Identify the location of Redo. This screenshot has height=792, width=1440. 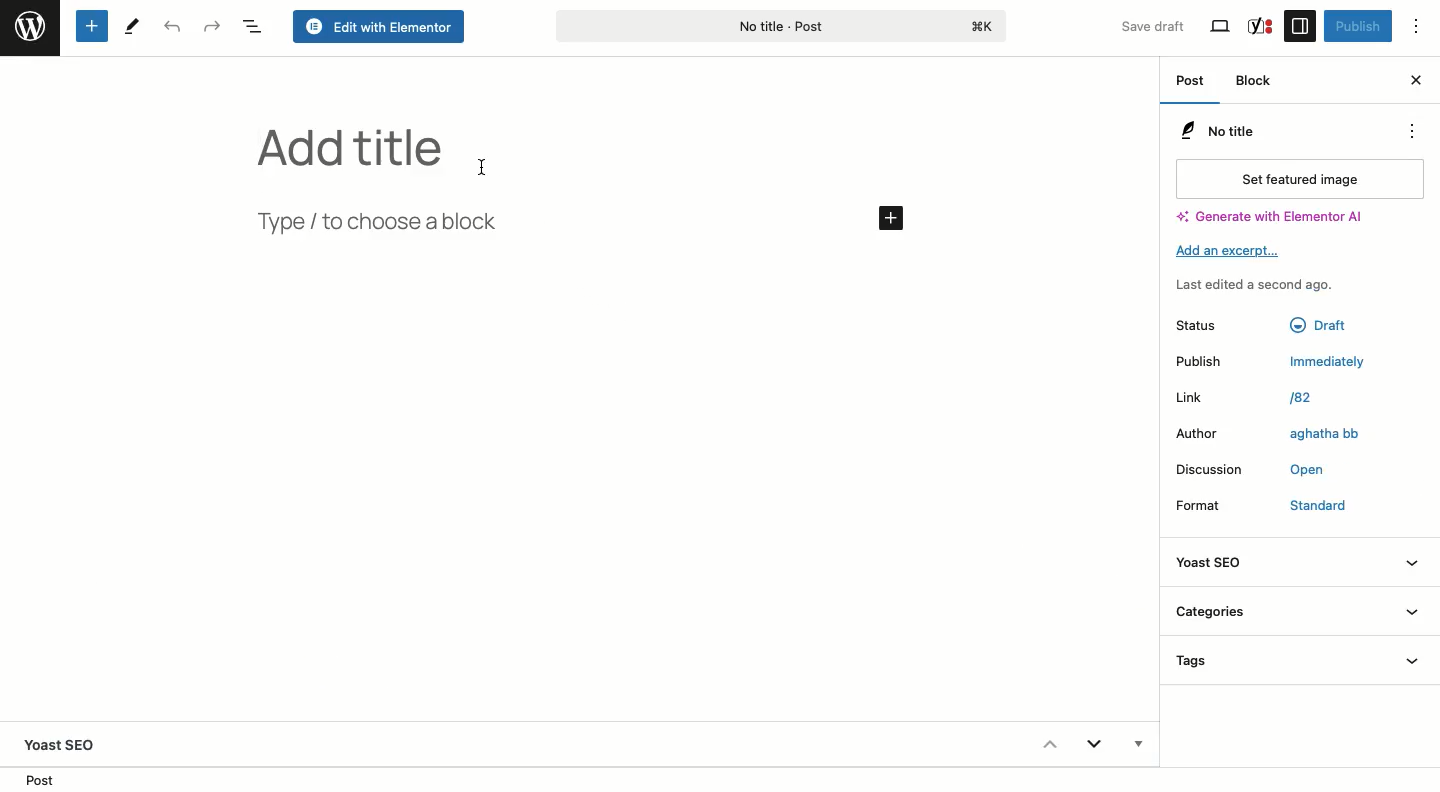
(213, 26).